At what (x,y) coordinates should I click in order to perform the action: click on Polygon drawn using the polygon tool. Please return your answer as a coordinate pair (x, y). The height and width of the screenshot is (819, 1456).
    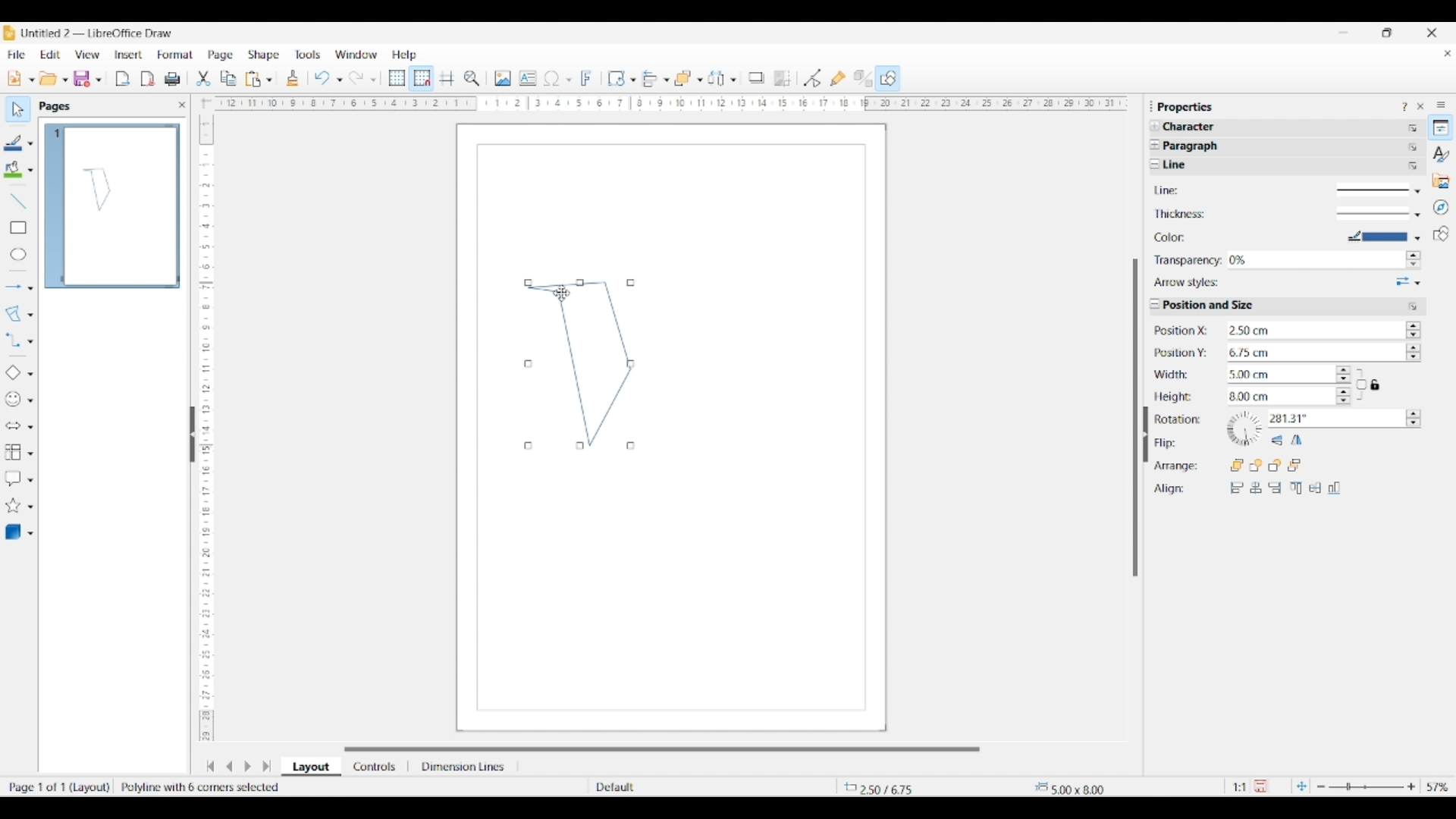
    Looking at the image, I should click on (579, 365).